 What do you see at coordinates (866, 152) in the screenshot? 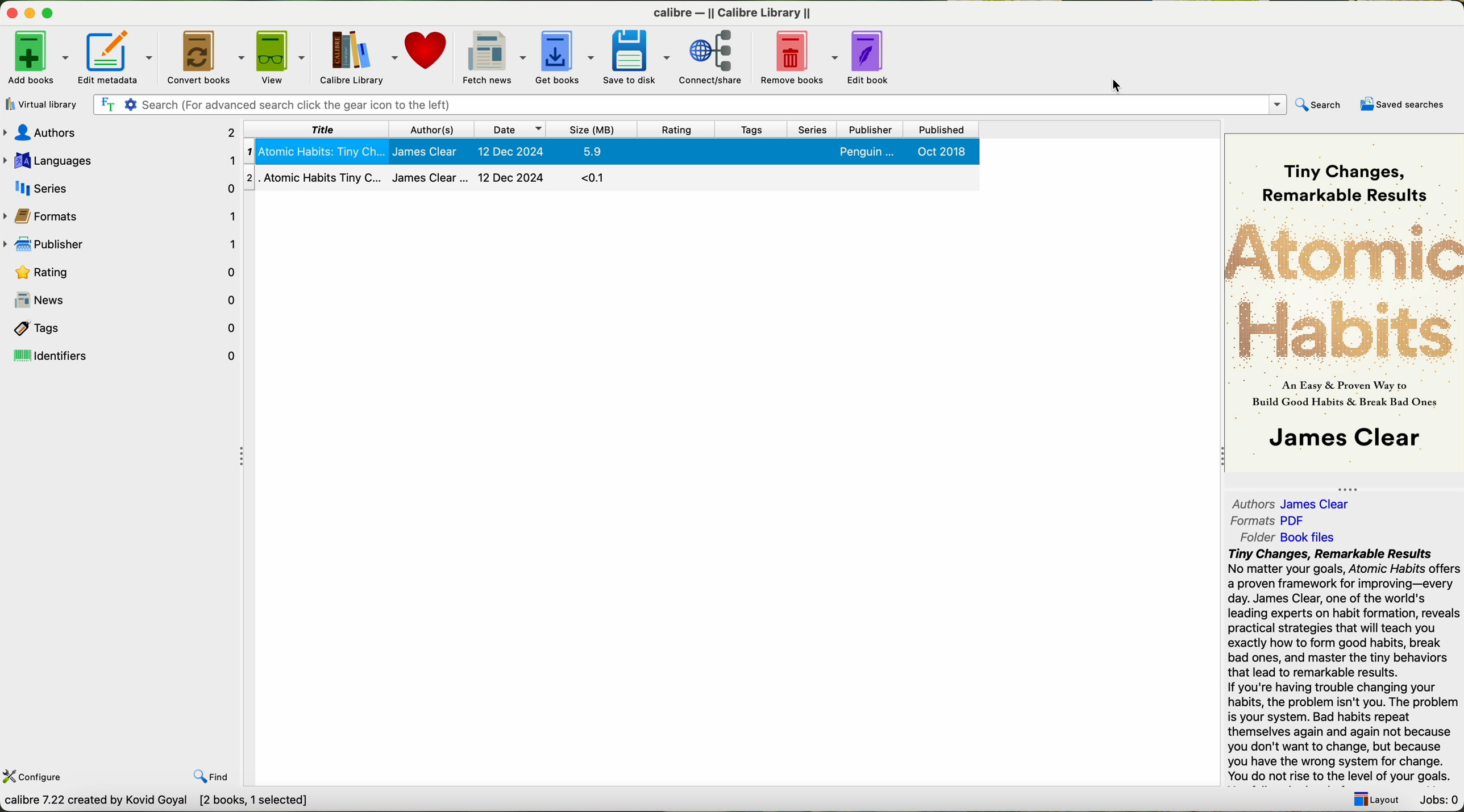
I see `Penguin` at bounding box center [866, 152].